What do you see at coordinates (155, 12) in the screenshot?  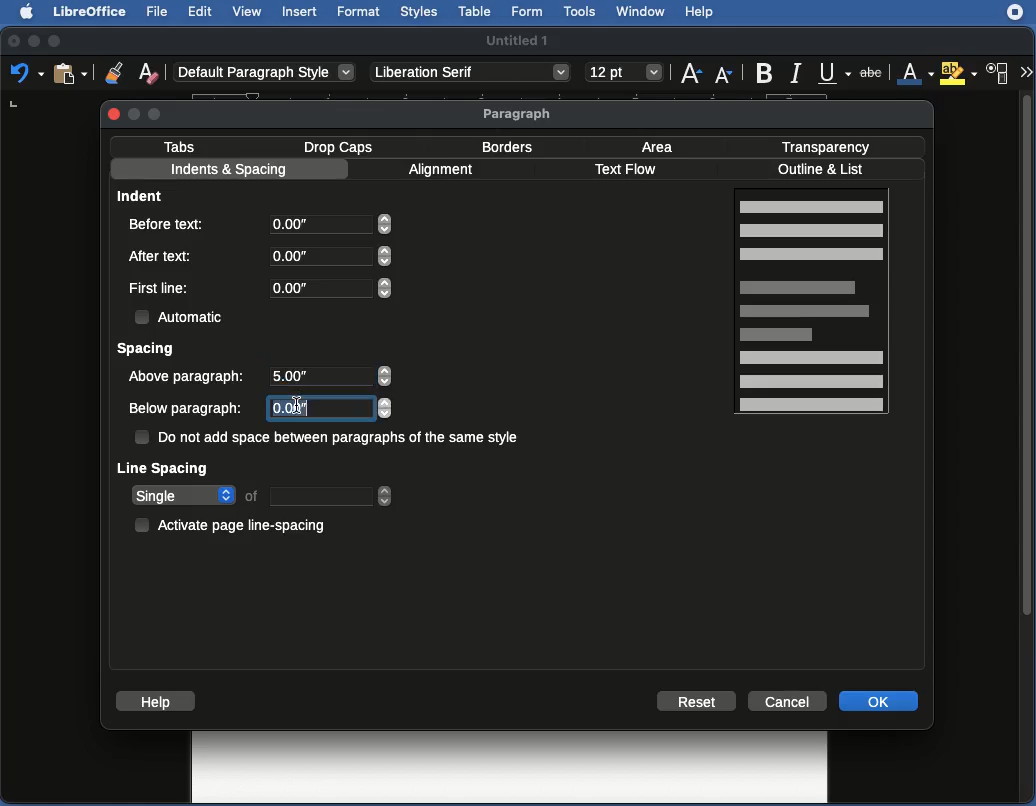 I see `File` at bounding box center [155, 12].